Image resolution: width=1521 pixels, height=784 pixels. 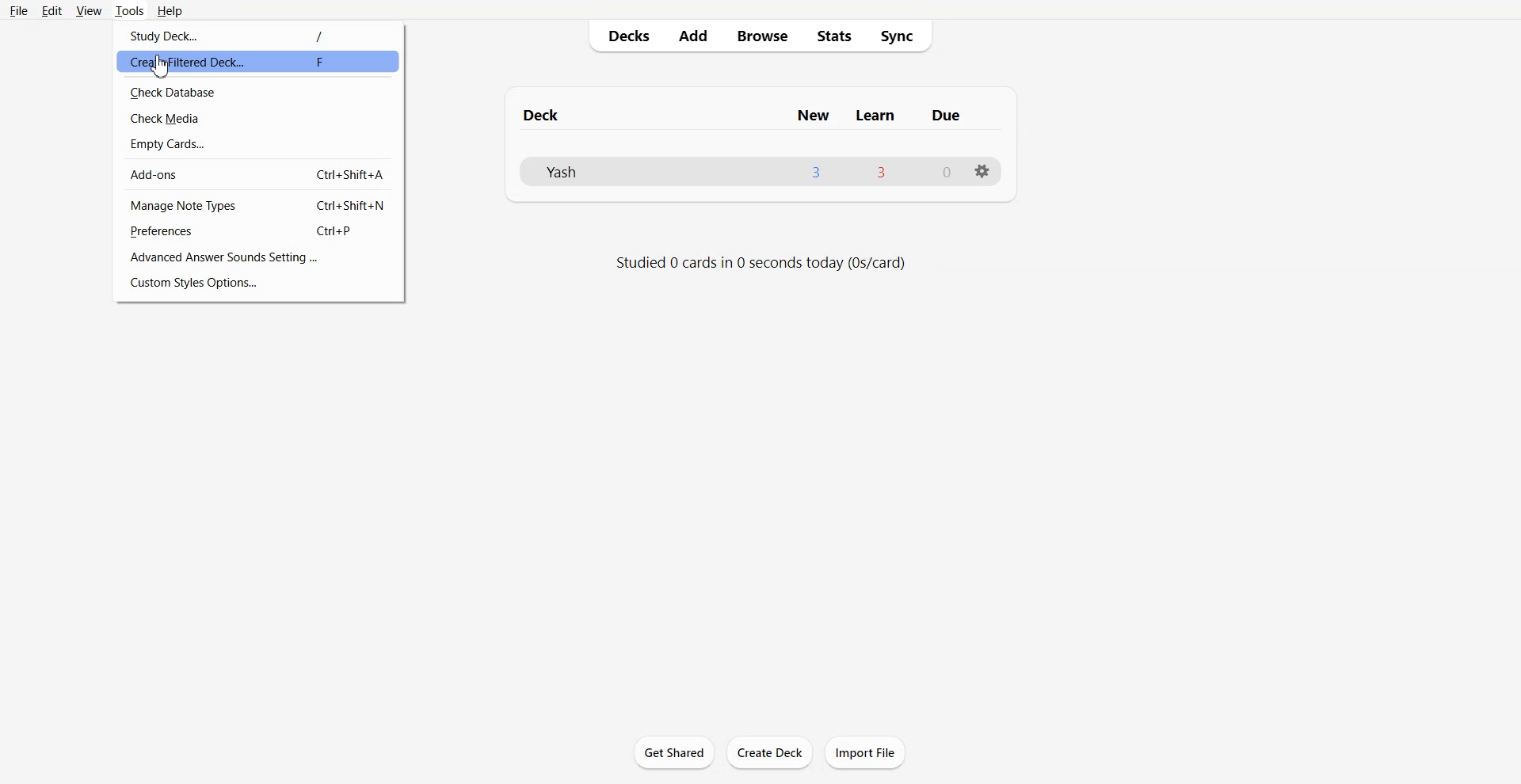 I want to click on Import File, so click(x=865, y=752).